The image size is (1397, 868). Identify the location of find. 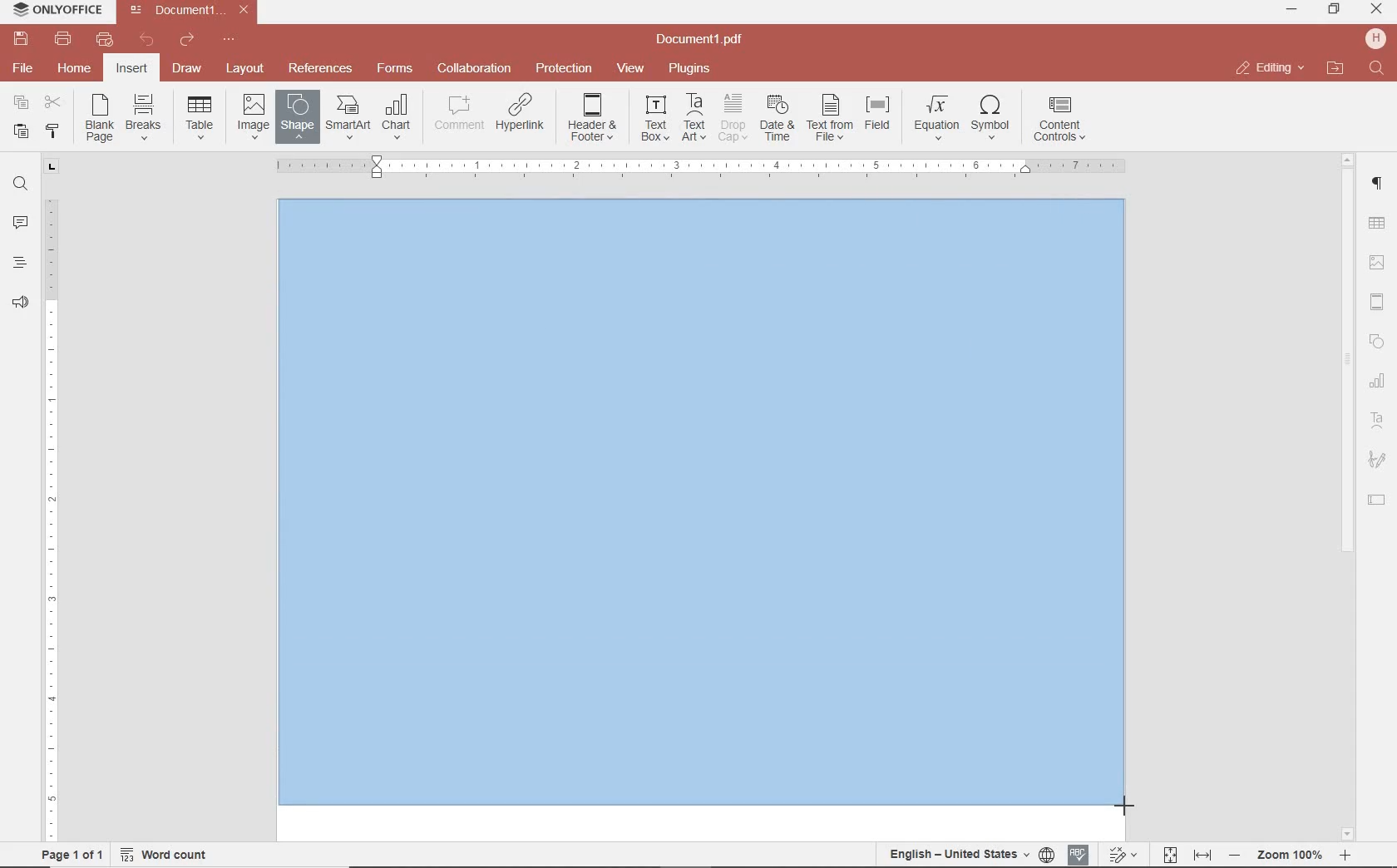
(20, 182).